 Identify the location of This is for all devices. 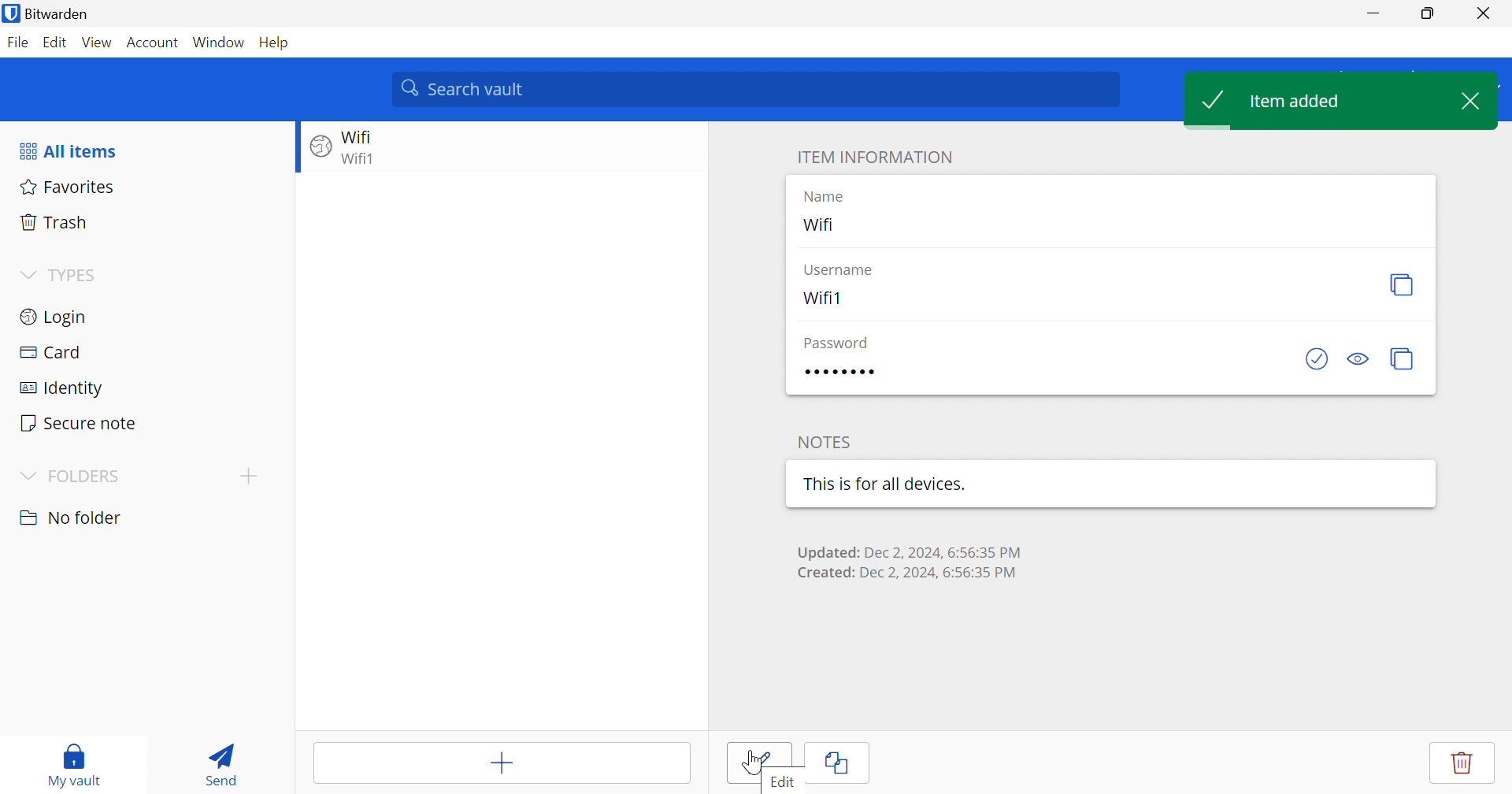
(884, 486).